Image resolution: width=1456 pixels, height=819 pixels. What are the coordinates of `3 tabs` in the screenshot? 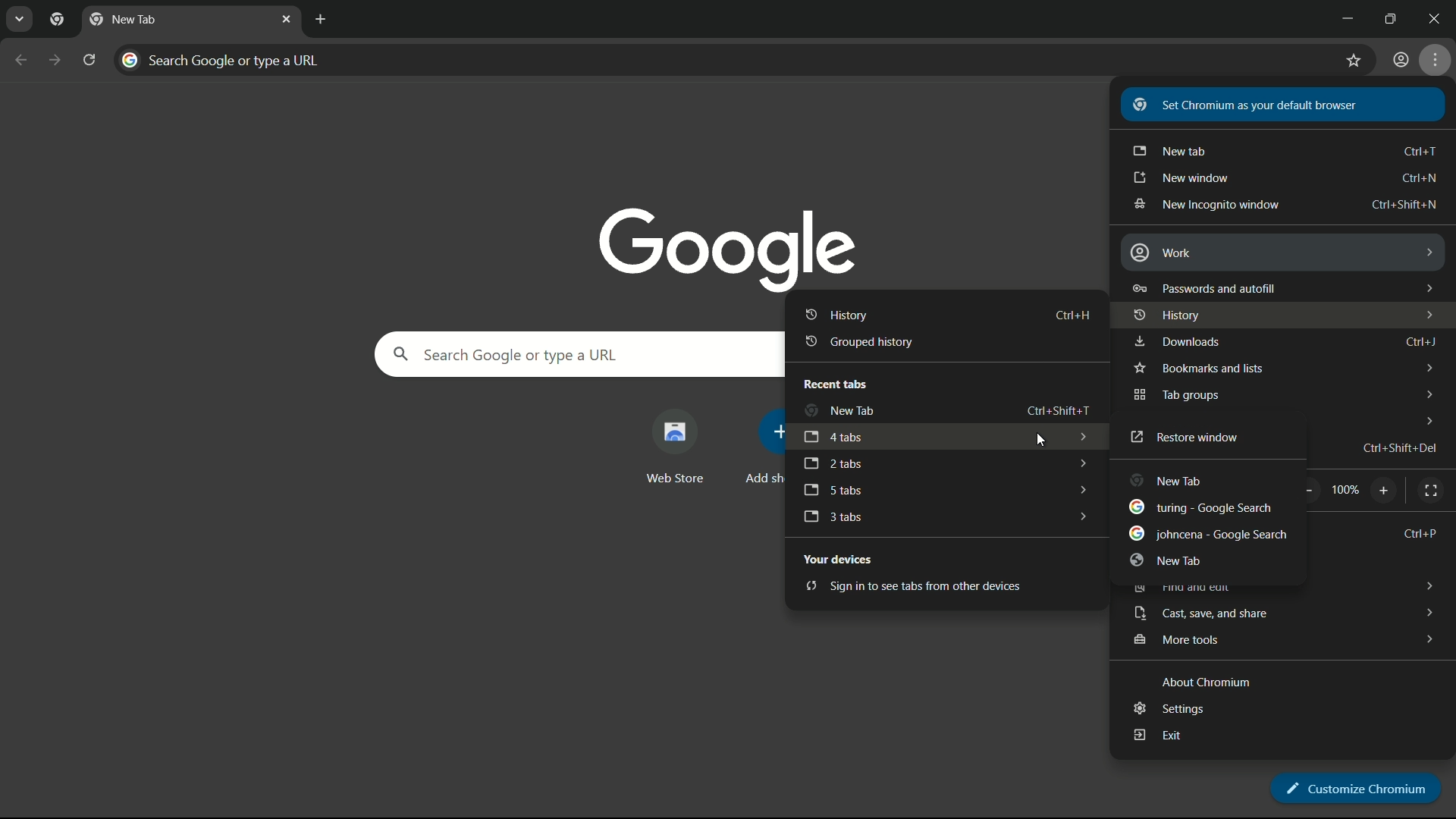 It's located at (832, 516).